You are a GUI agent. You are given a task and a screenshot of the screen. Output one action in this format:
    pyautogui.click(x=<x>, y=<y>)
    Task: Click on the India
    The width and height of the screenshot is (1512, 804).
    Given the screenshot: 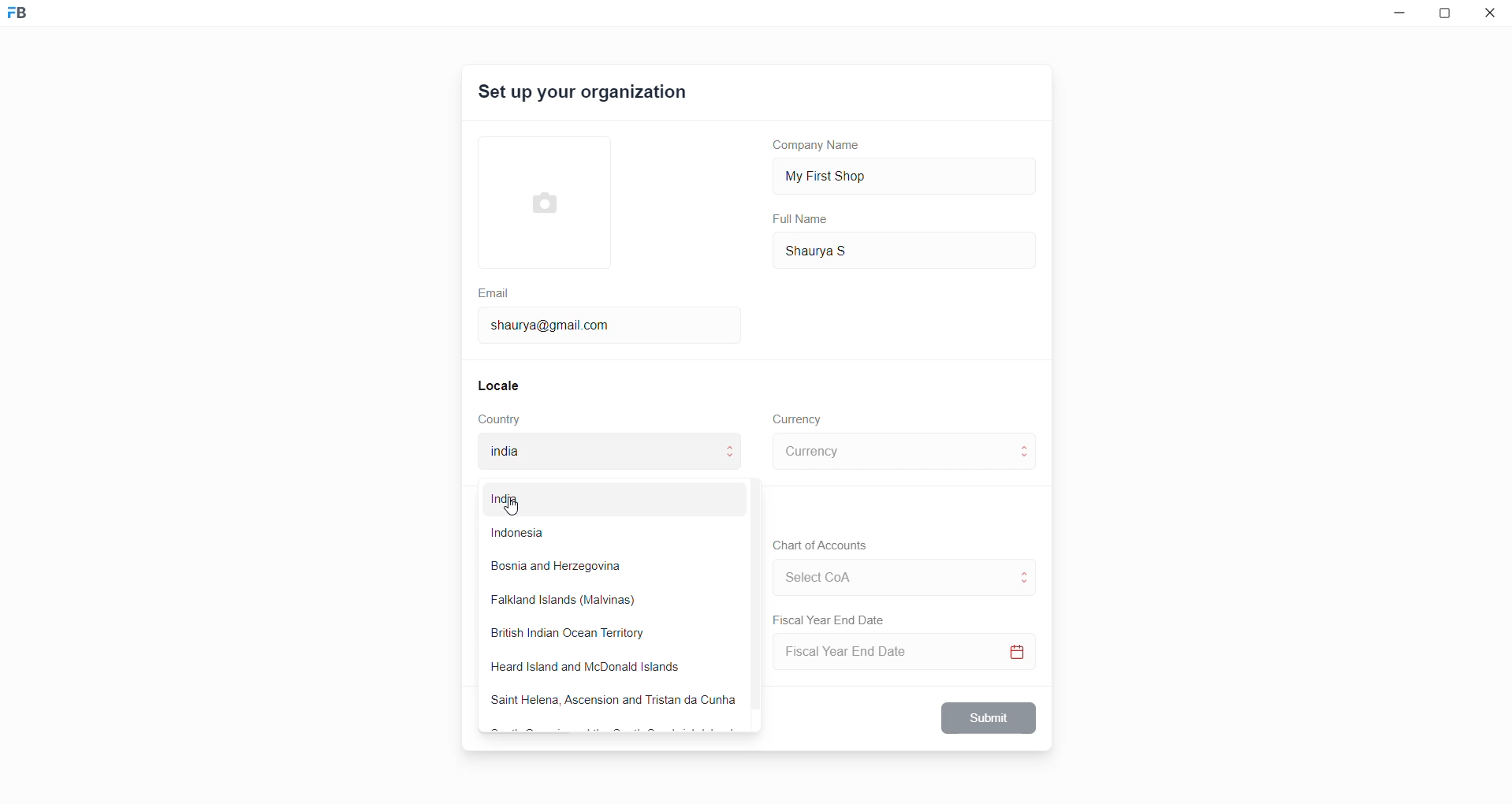 What is the action you would take?
    pyautogui.click(x=603, y=497)
    